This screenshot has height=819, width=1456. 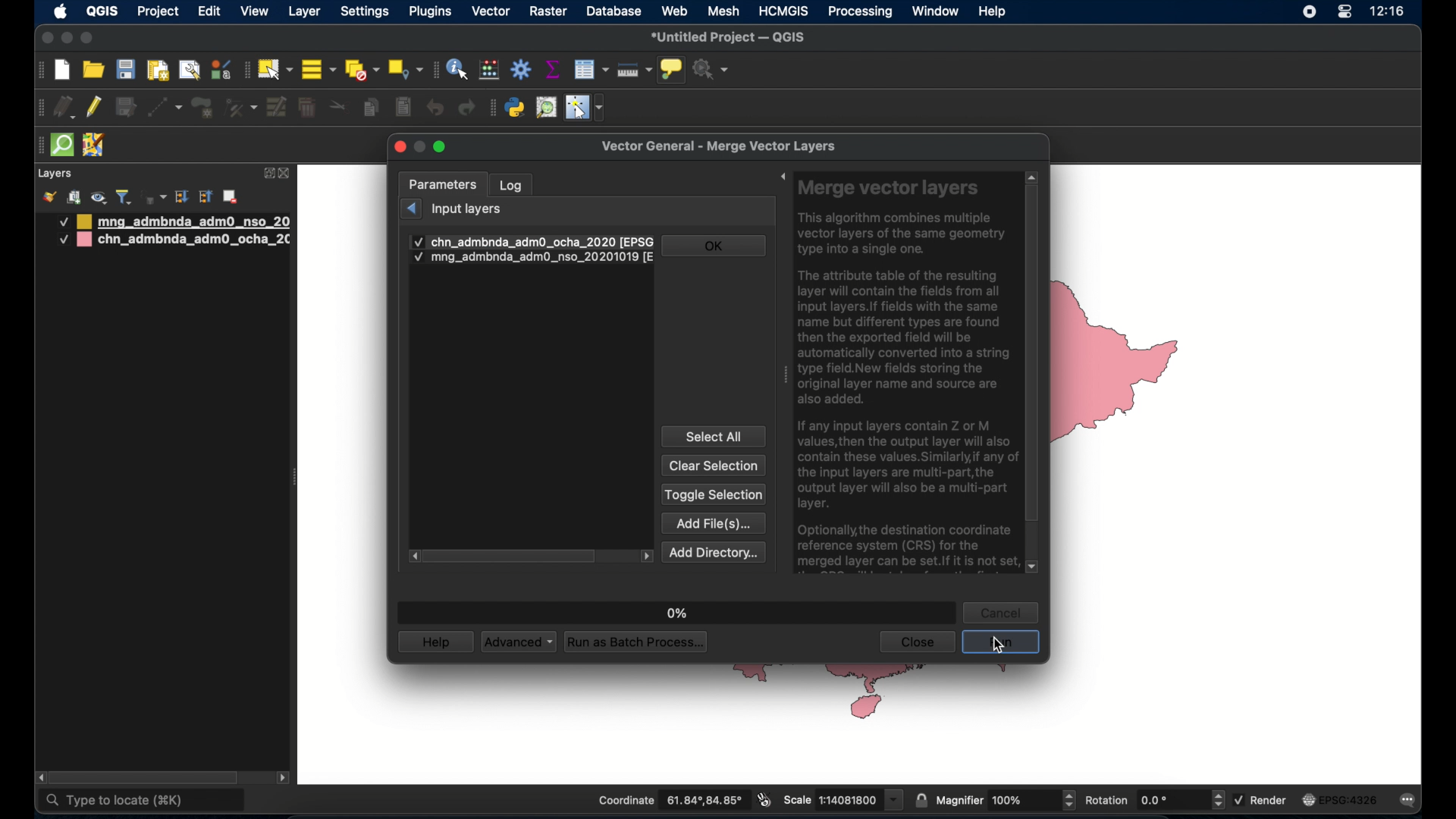 I want to click on select by location , so click(x=405, y=68).